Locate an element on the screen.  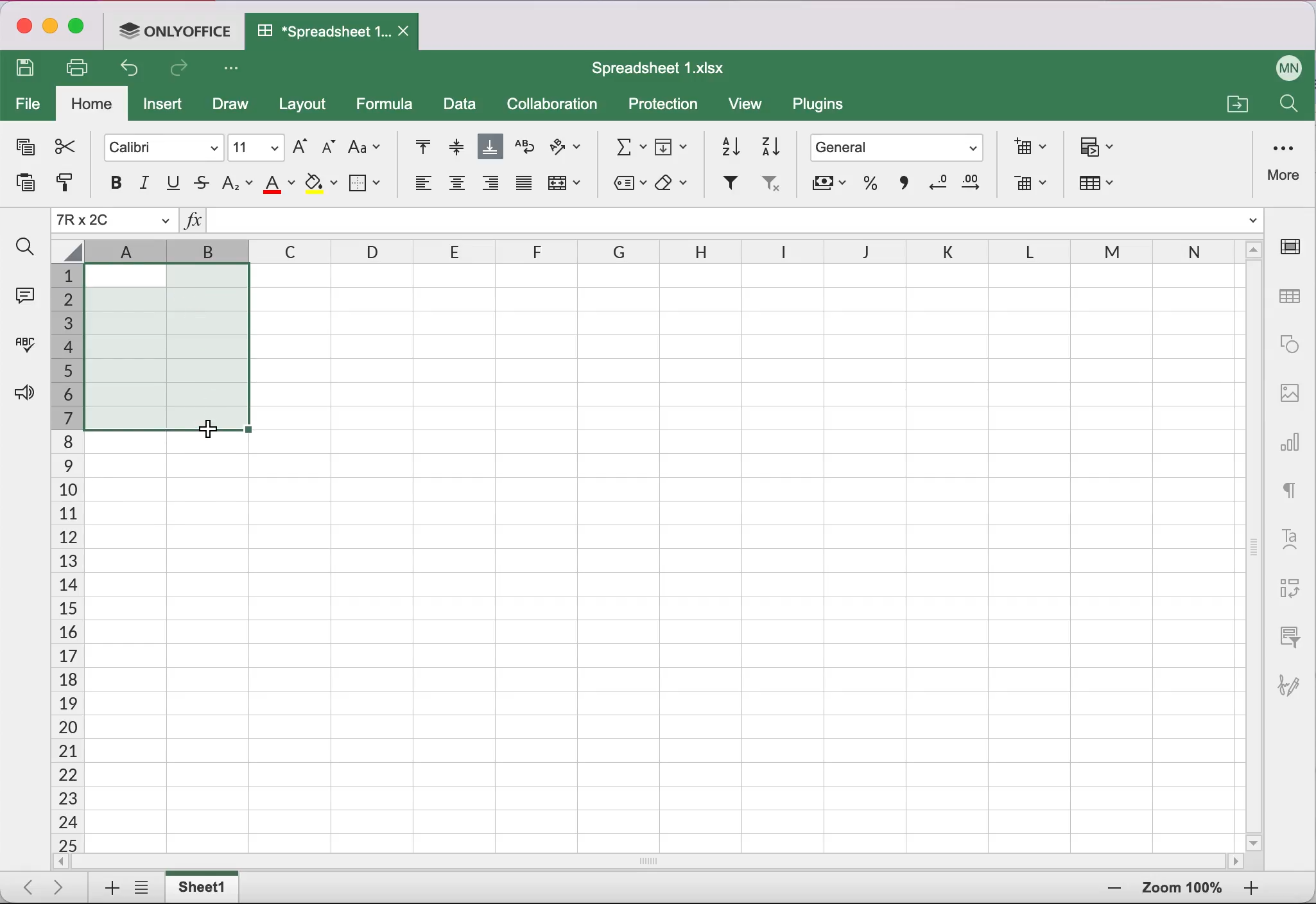
layout is located at coordinates (306, 106).